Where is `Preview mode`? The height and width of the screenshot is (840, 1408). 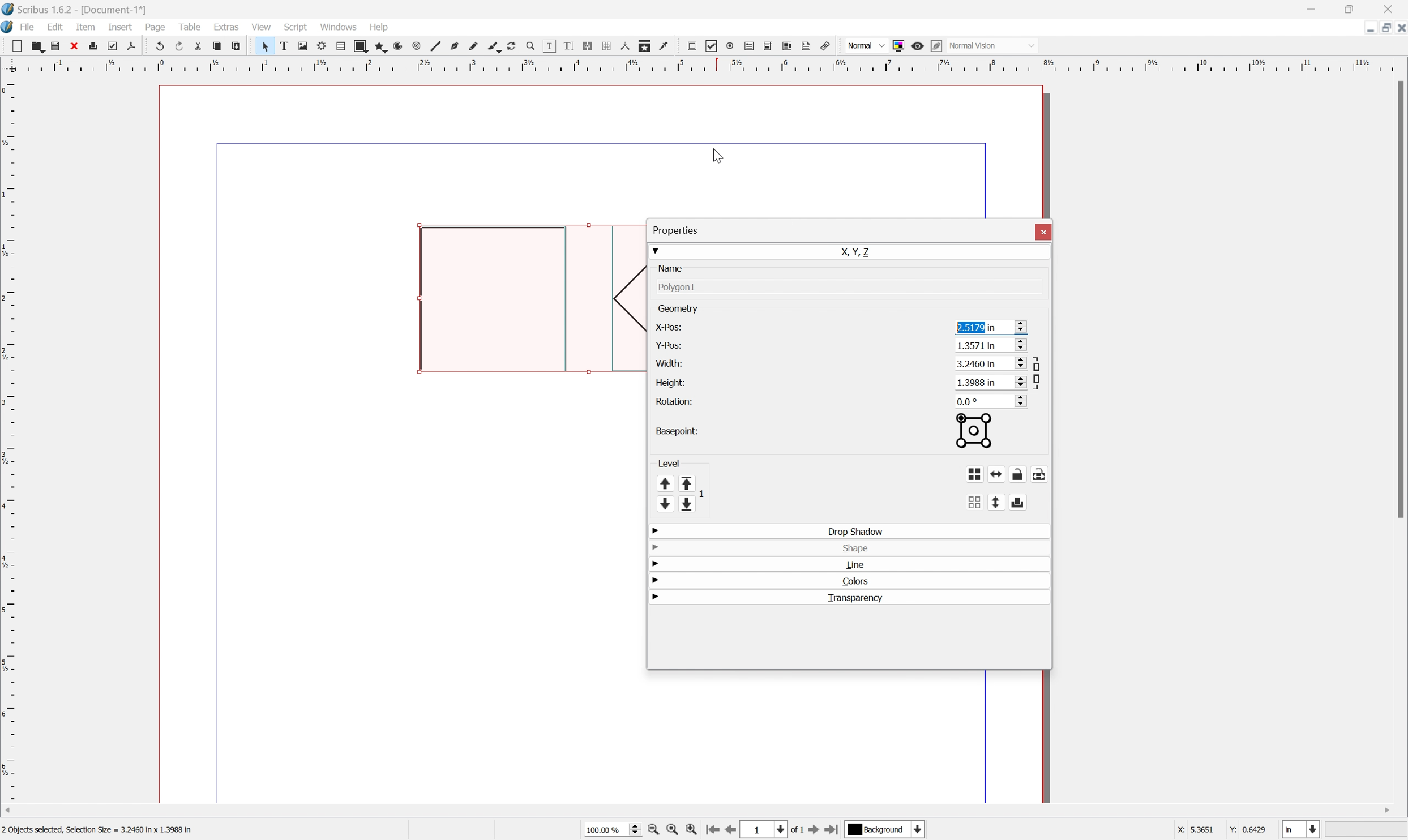
Preview mode is located at coordinates (917, 46).